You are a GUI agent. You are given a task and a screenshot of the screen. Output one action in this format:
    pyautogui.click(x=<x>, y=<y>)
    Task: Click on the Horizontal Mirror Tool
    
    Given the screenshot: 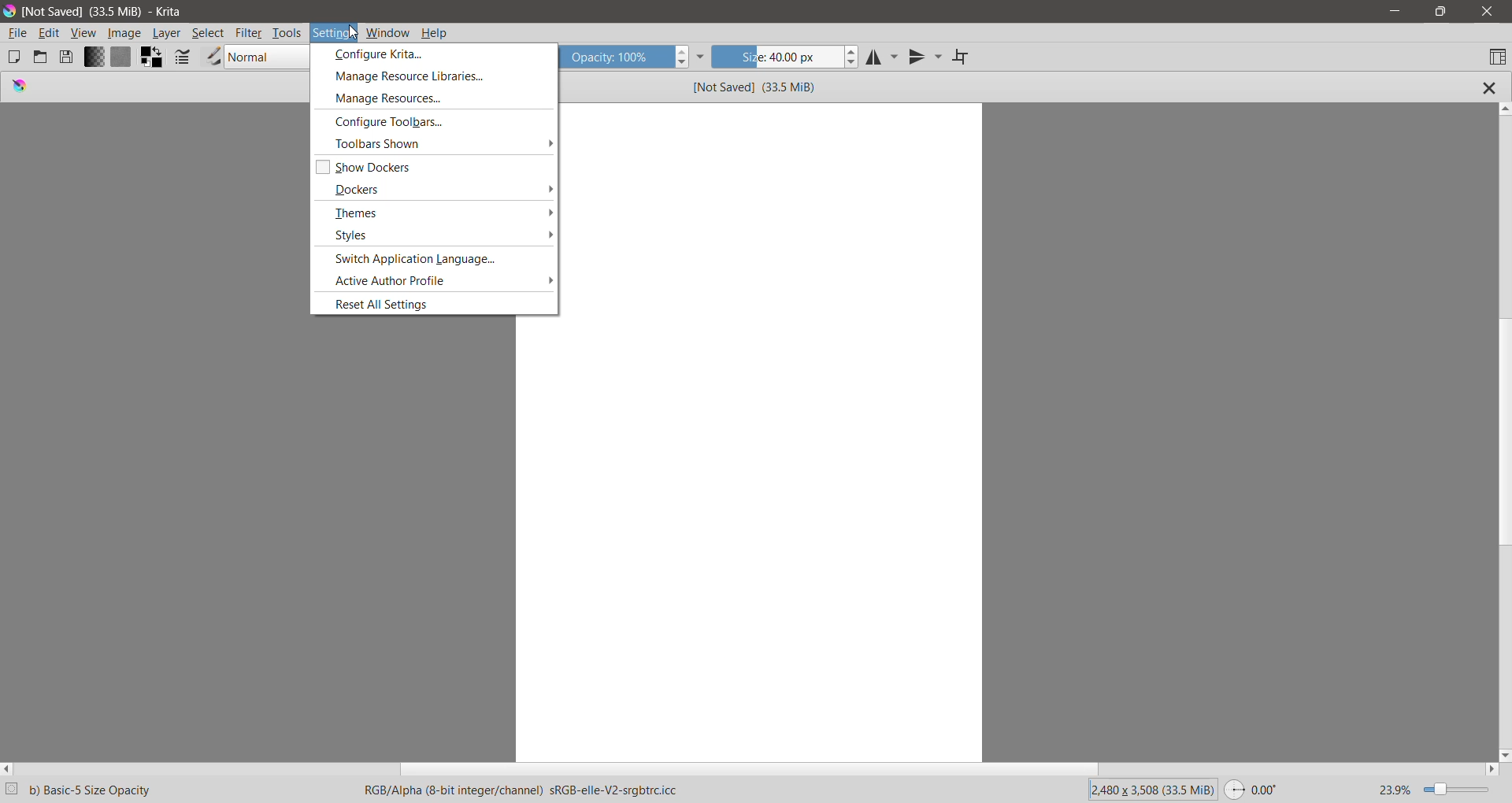 What is the action you would take?
    pyautogui.click(x=883, y=57)
    